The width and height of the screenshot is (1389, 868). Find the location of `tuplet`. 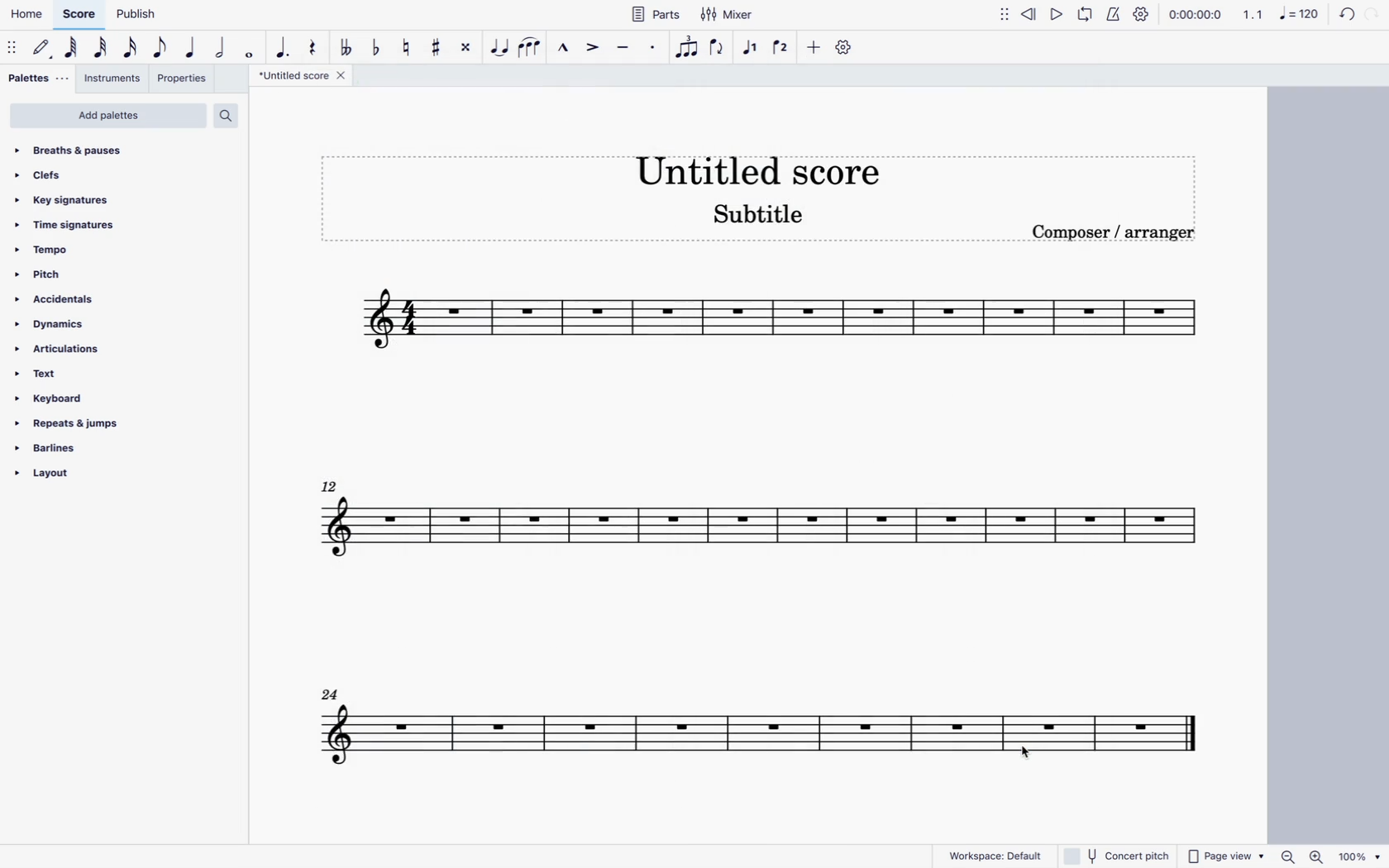

tuplet is located at coordinates (689, 51).